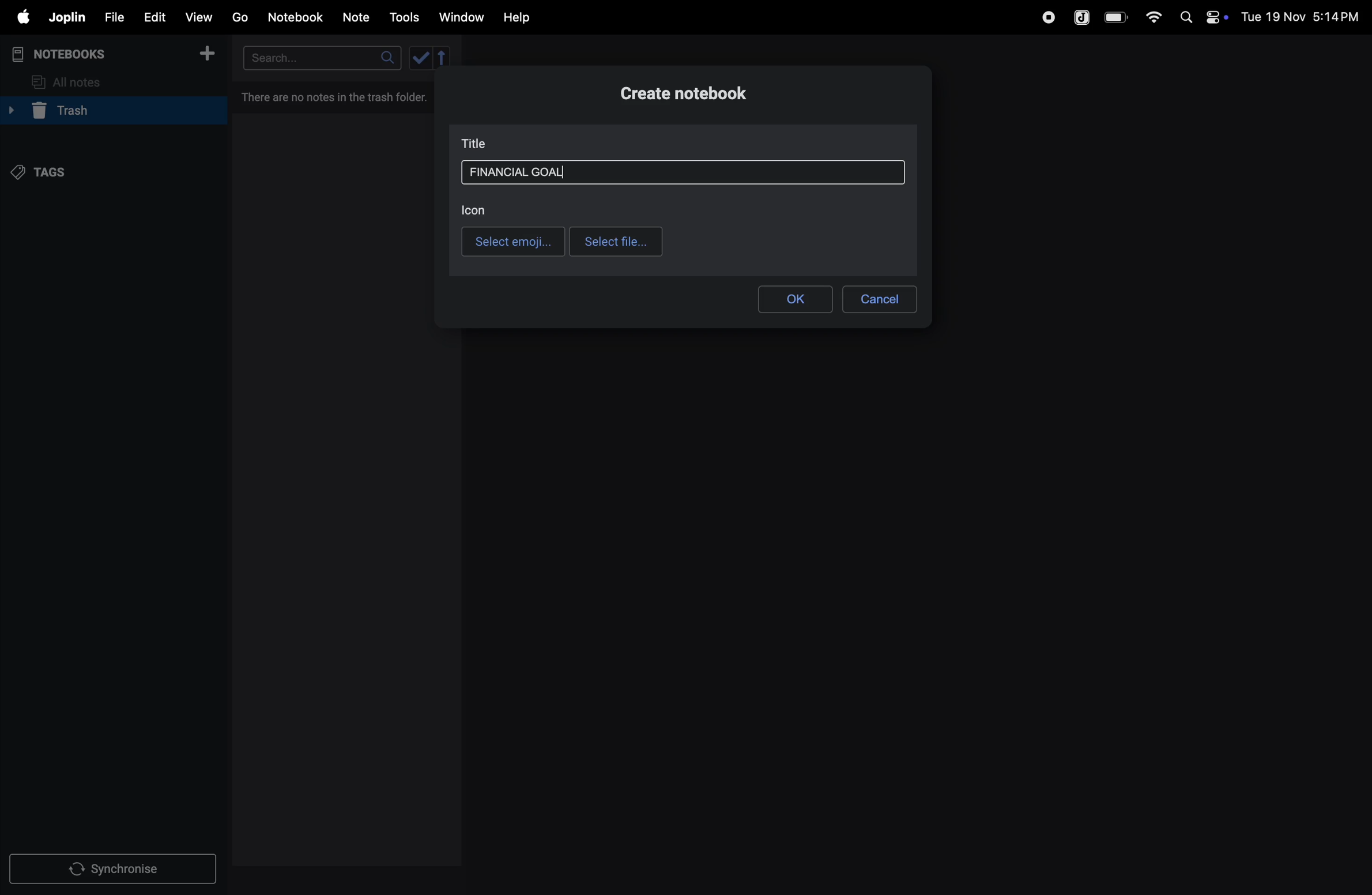 This screenshot has width=1372, height=895. Describe the element at coordinates (149, 14) in the screenshot. I see `edit` at that location.